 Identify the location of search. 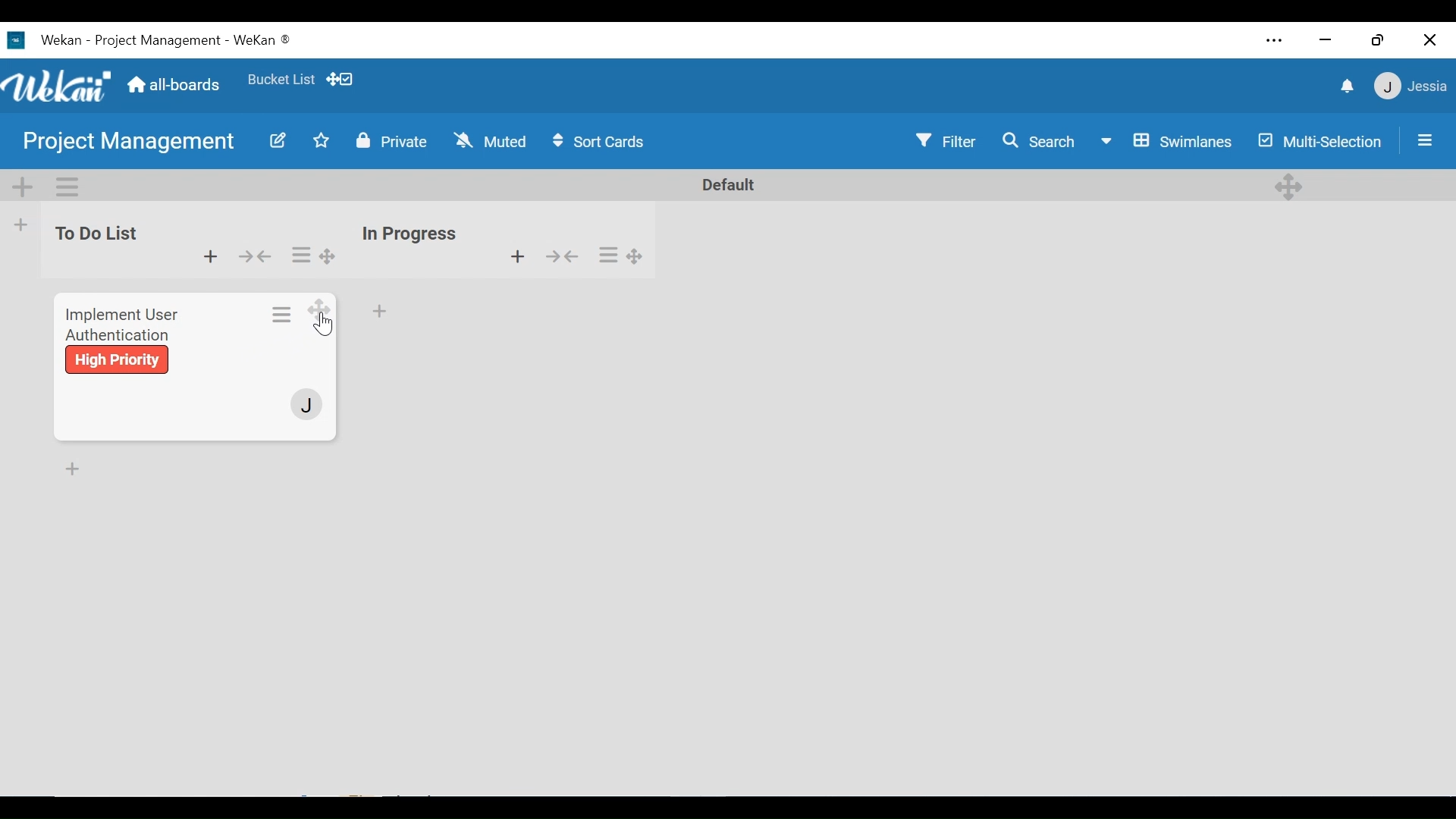
(1038, 142).